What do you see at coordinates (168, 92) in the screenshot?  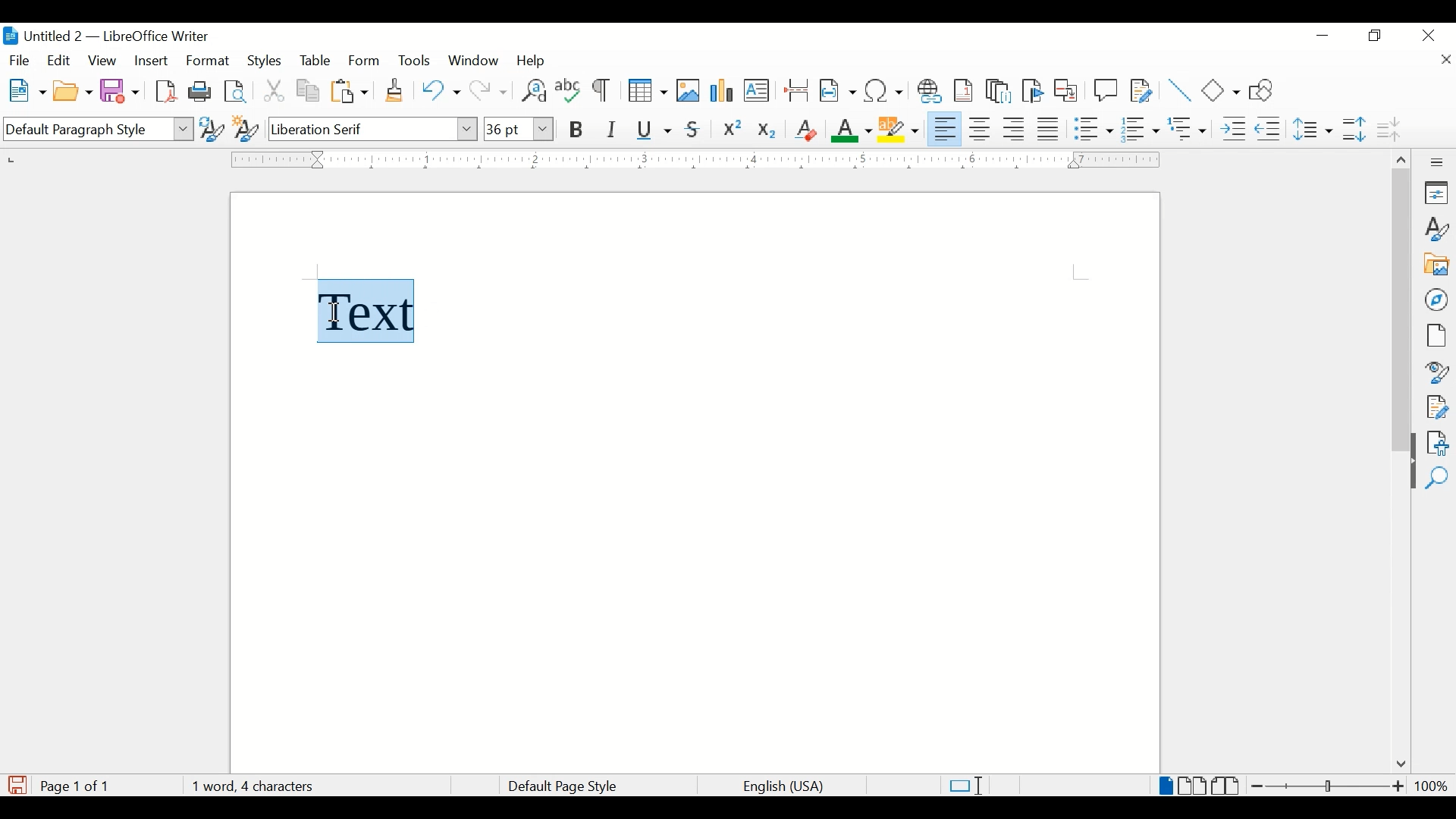 I see `export directly as pdf` at bounding box center [168, 92].